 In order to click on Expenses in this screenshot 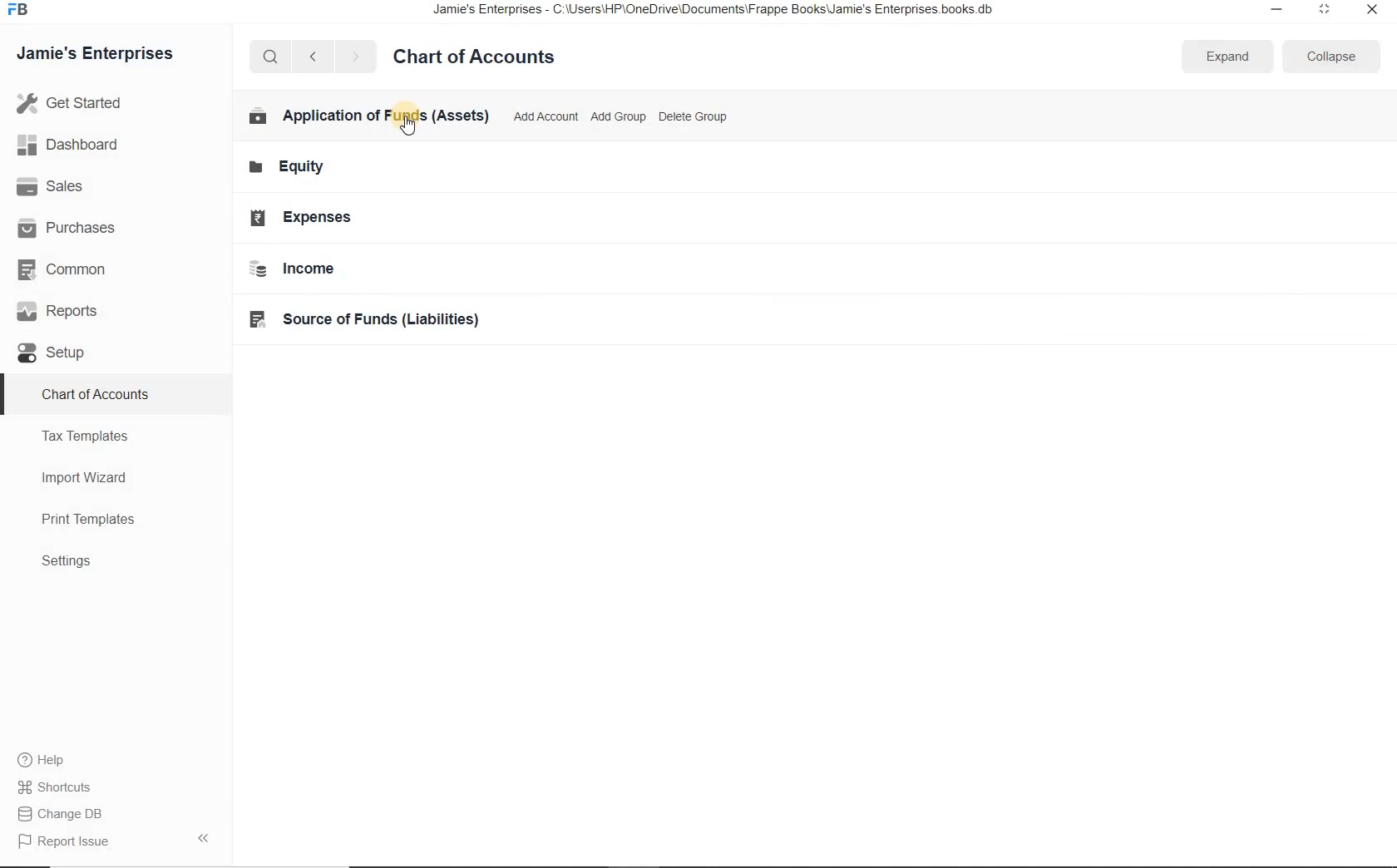, I will do `click(314, 219)`.